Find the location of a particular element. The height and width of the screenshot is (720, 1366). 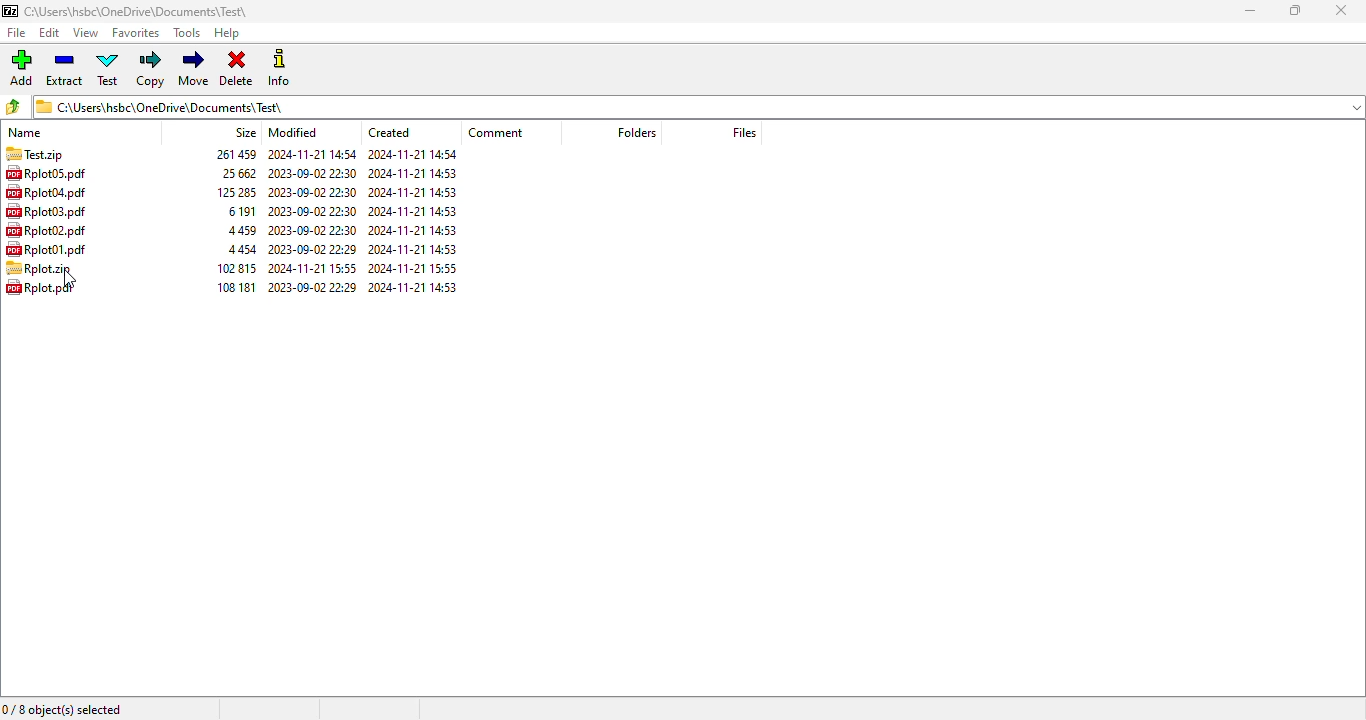

move is located at coordinates (194, 67).